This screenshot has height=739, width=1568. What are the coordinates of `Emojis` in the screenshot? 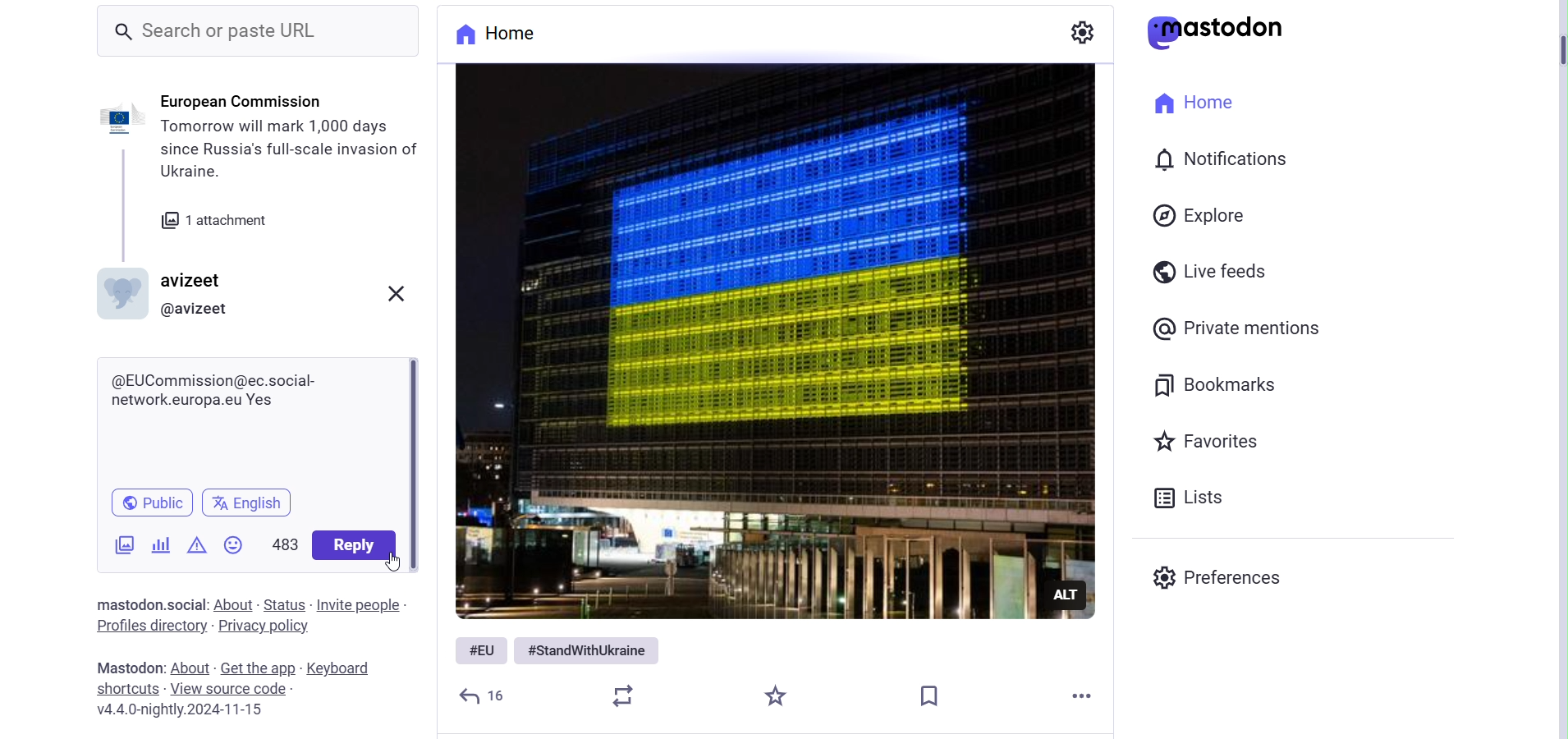 It's located at (233, 544).